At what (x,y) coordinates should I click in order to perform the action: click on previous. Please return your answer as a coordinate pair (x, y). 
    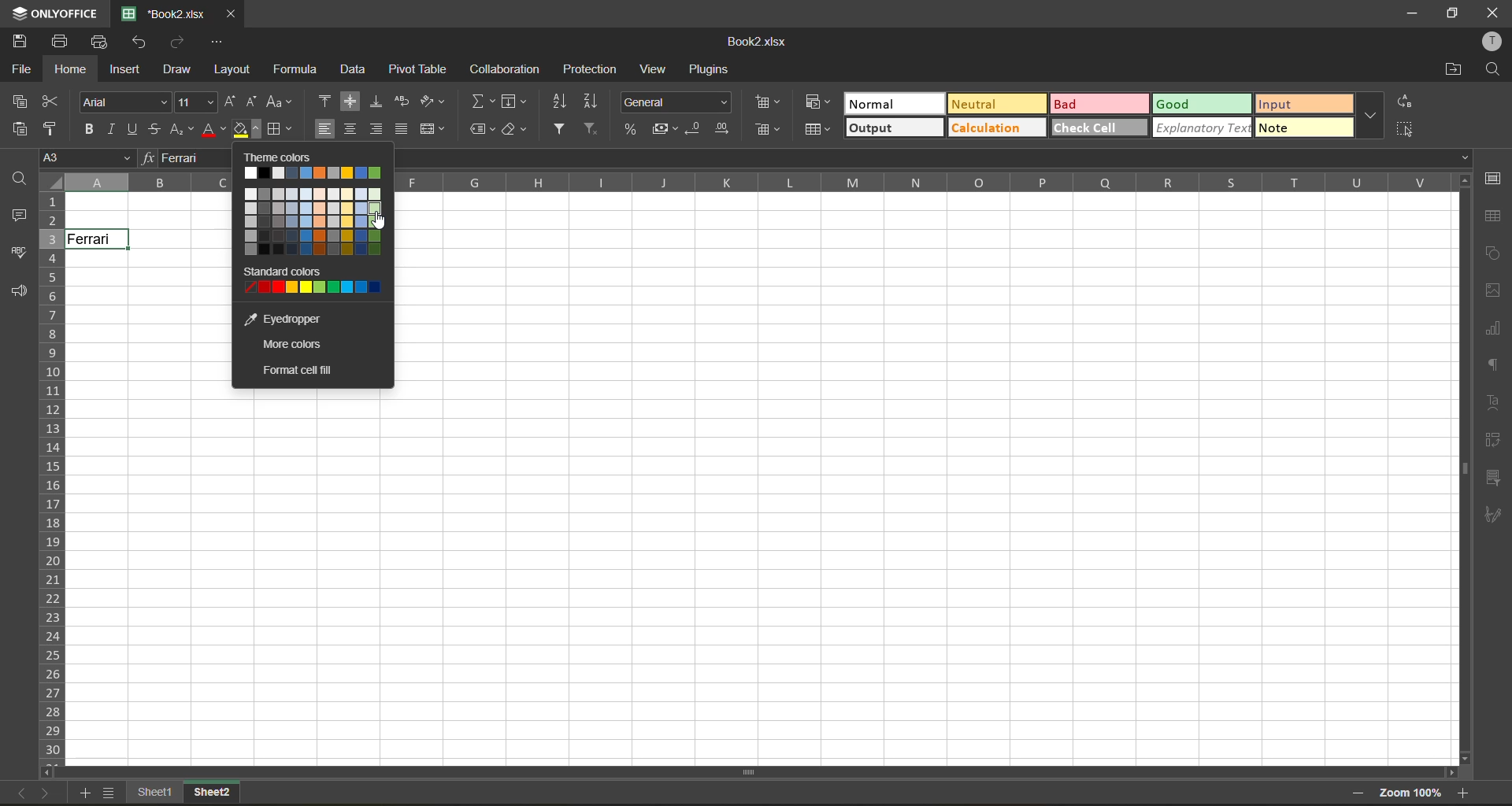
    Looking at the image, I should click on (17, 793).